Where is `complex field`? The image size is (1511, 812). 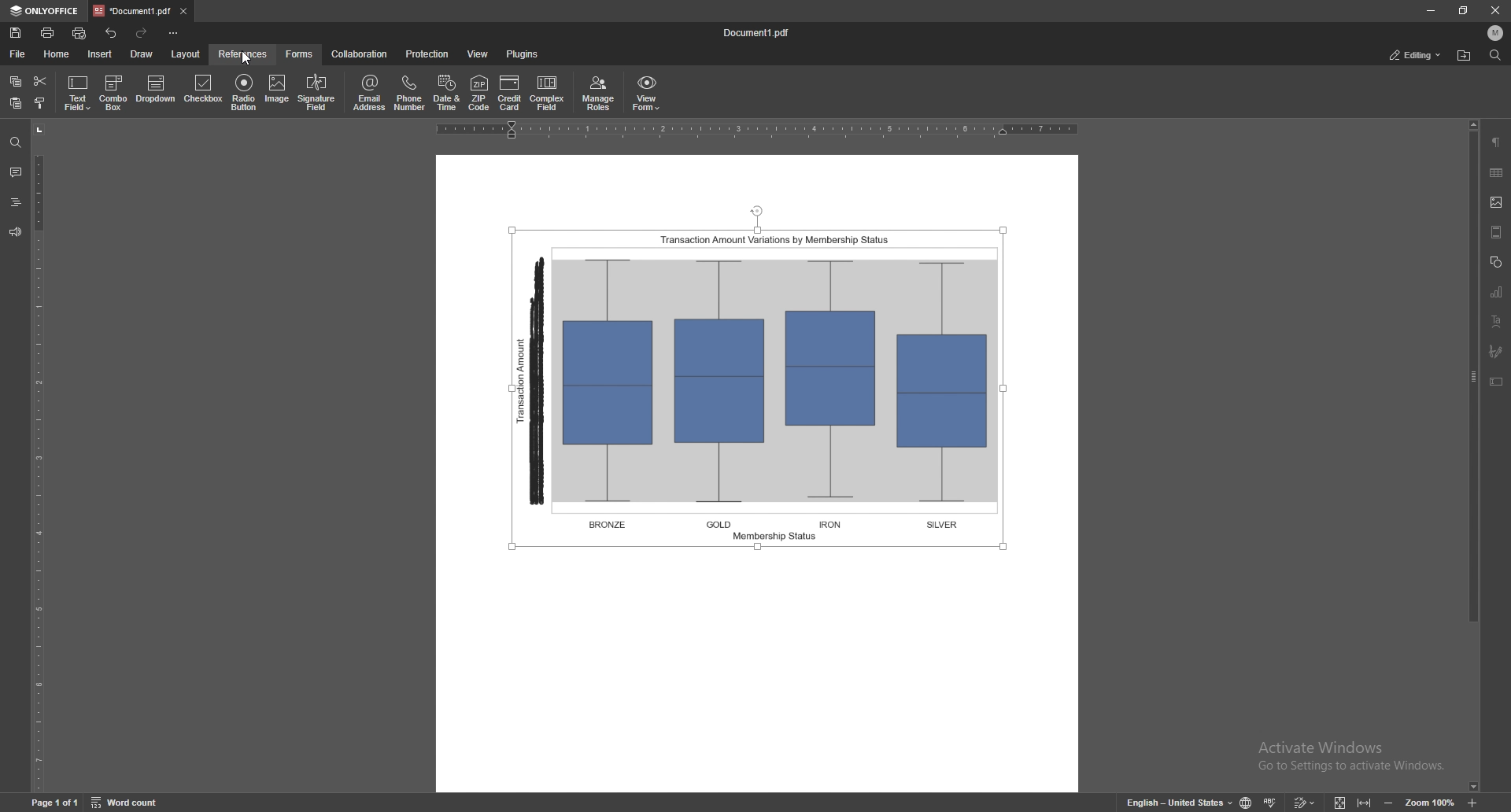 complex field is located at coordinates (549, 94).